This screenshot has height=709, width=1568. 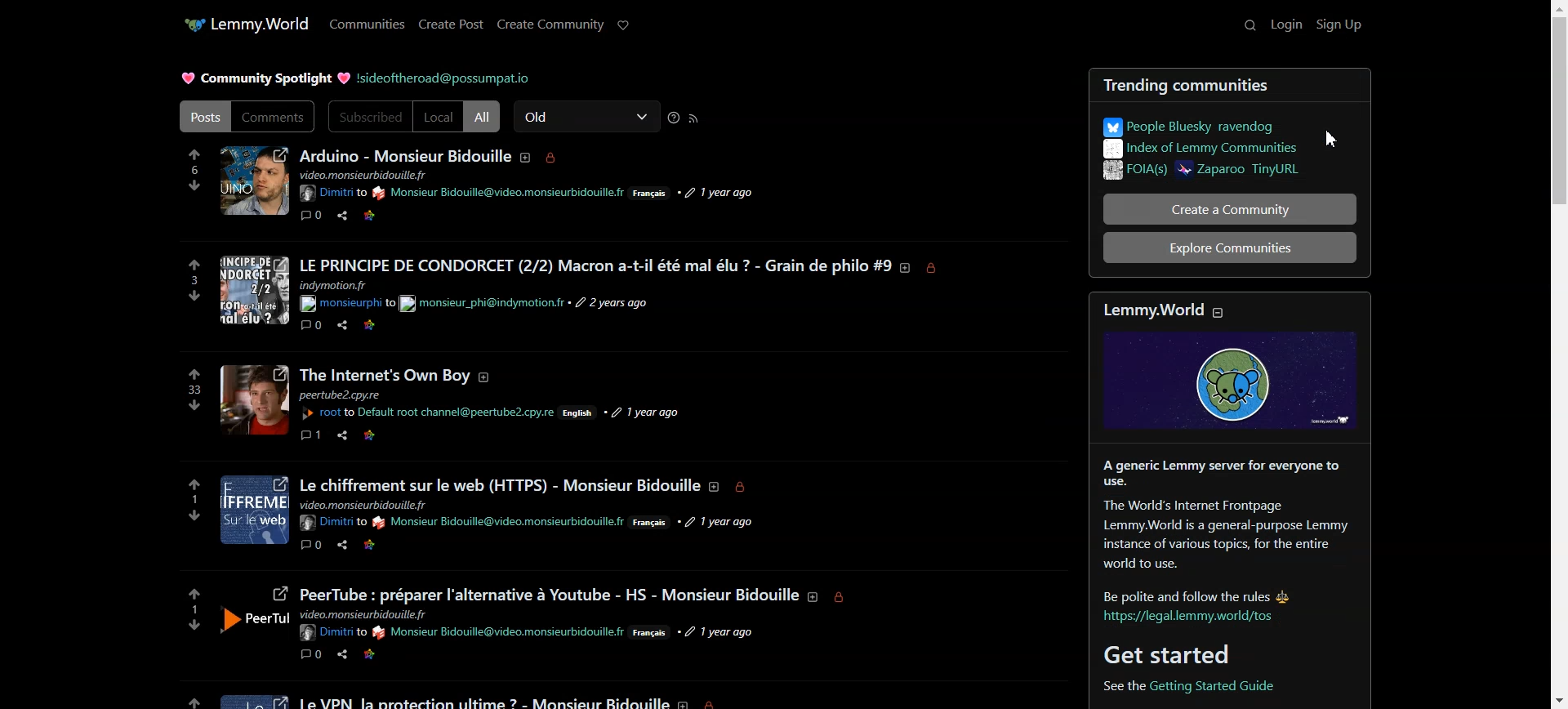 I want to click on Comments, so click(x=274, y=116).